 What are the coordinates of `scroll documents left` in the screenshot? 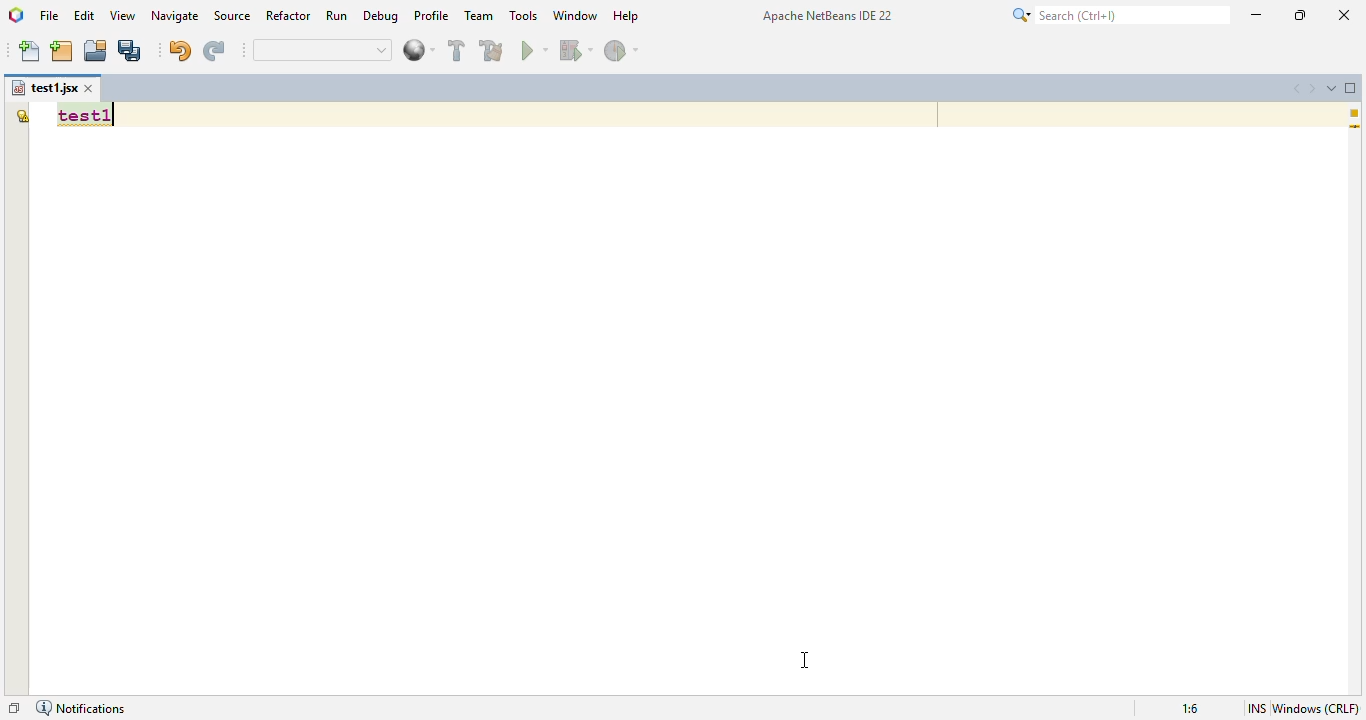 It's located at (1294, 89).